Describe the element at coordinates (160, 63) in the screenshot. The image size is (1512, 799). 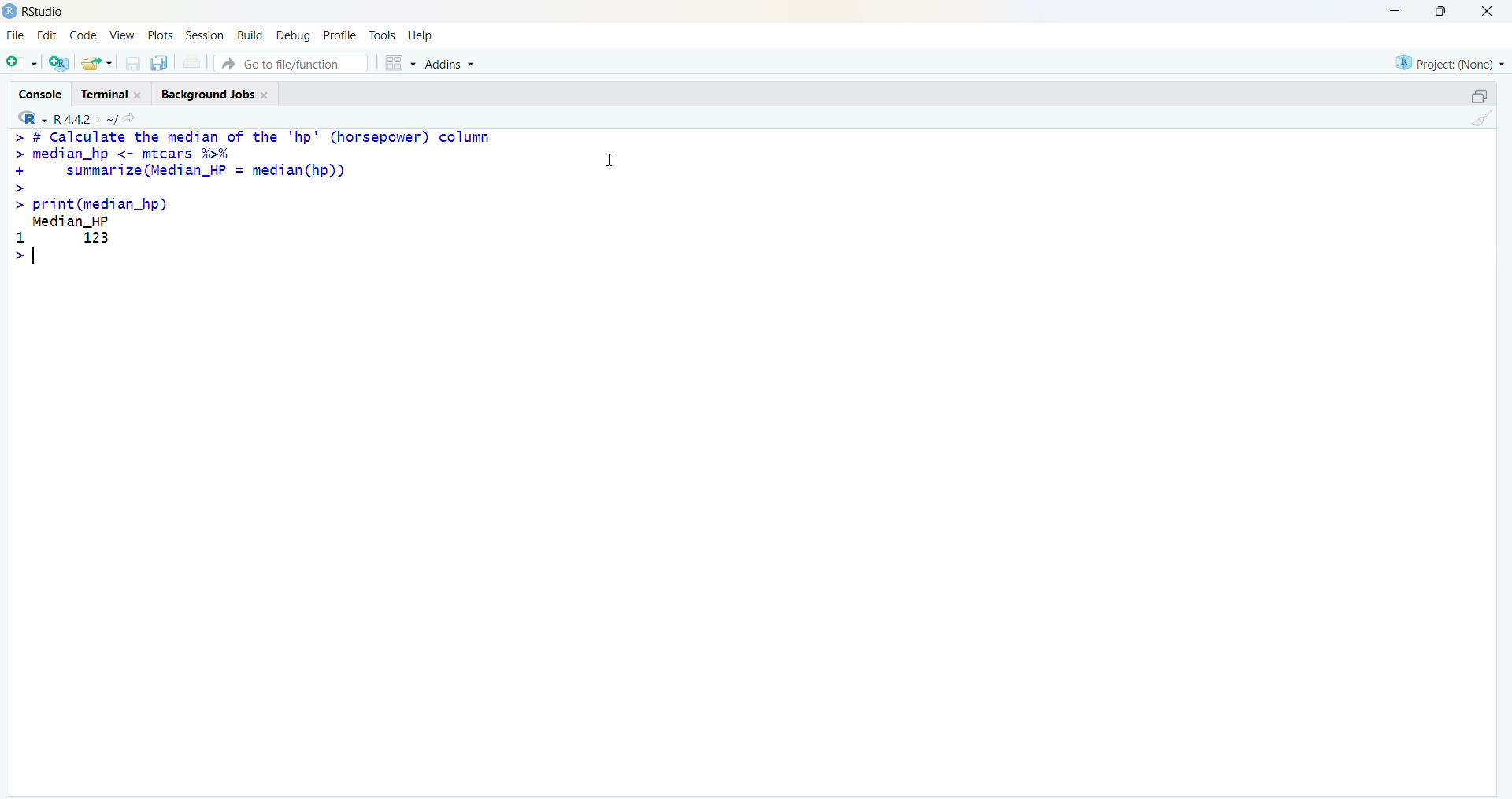
I see `copy` at that location.